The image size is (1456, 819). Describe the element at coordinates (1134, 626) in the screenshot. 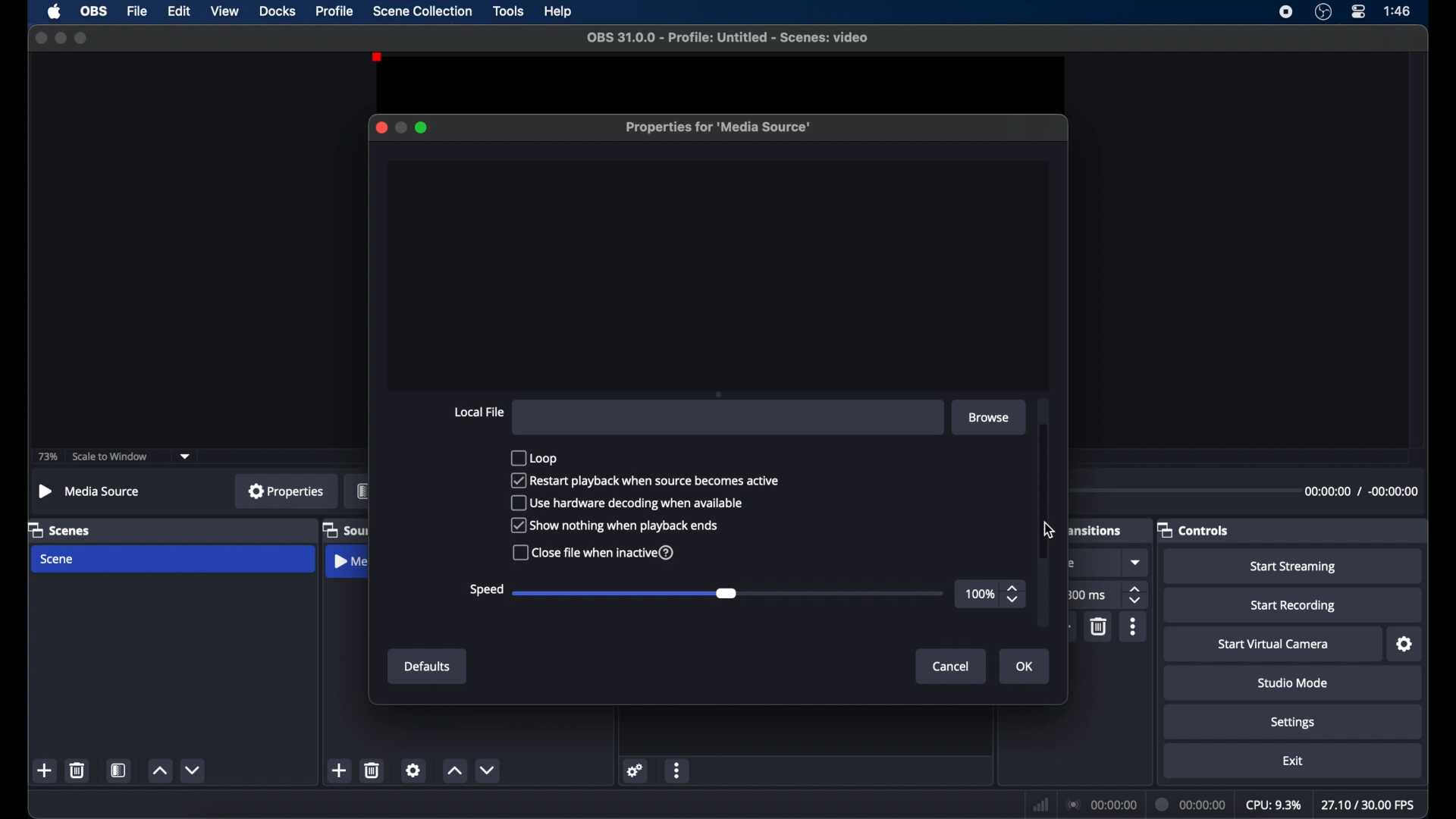

I see `more options` at that location.